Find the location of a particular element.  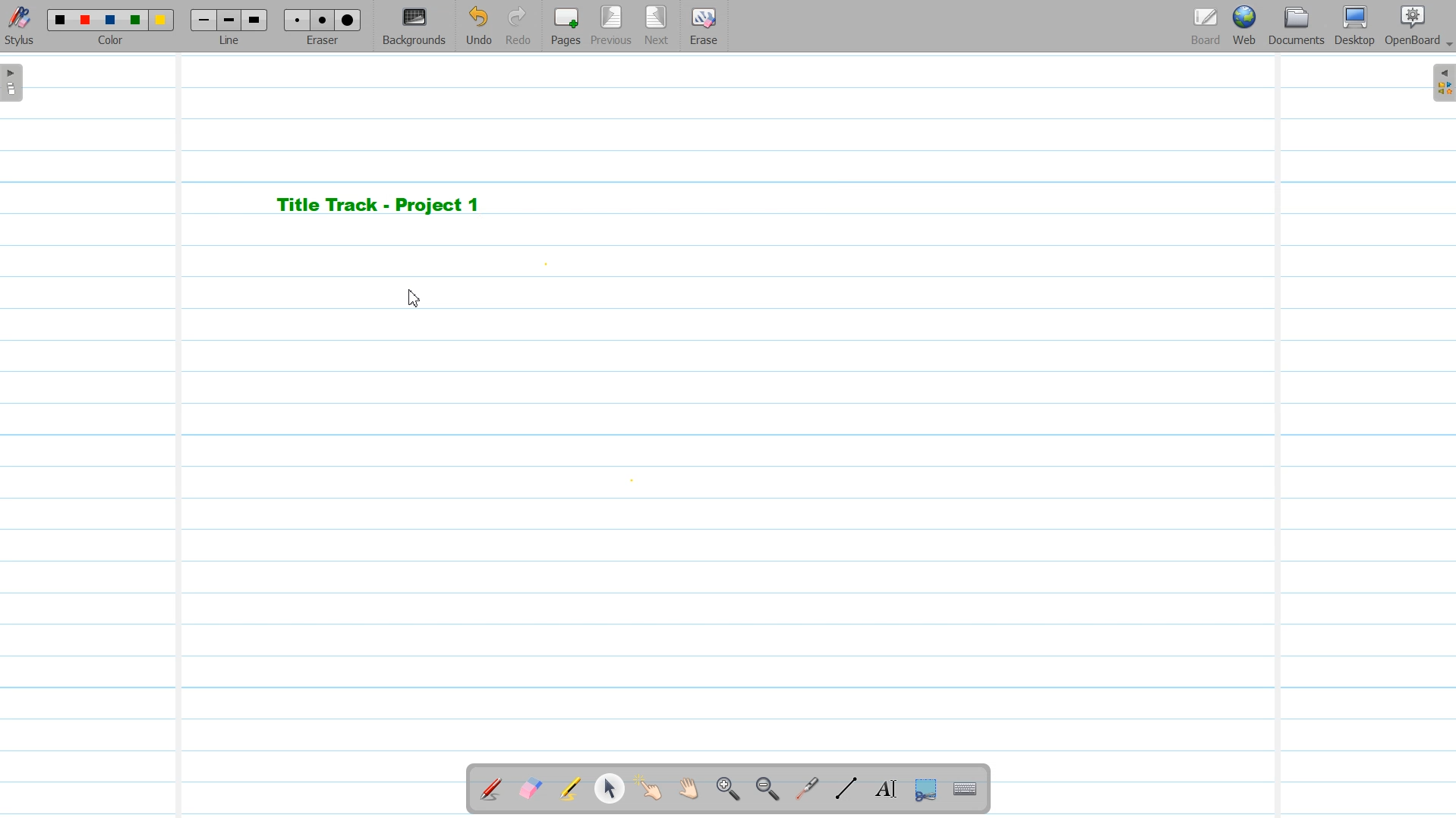

Scroll Page is located at coordinates (689, 790).